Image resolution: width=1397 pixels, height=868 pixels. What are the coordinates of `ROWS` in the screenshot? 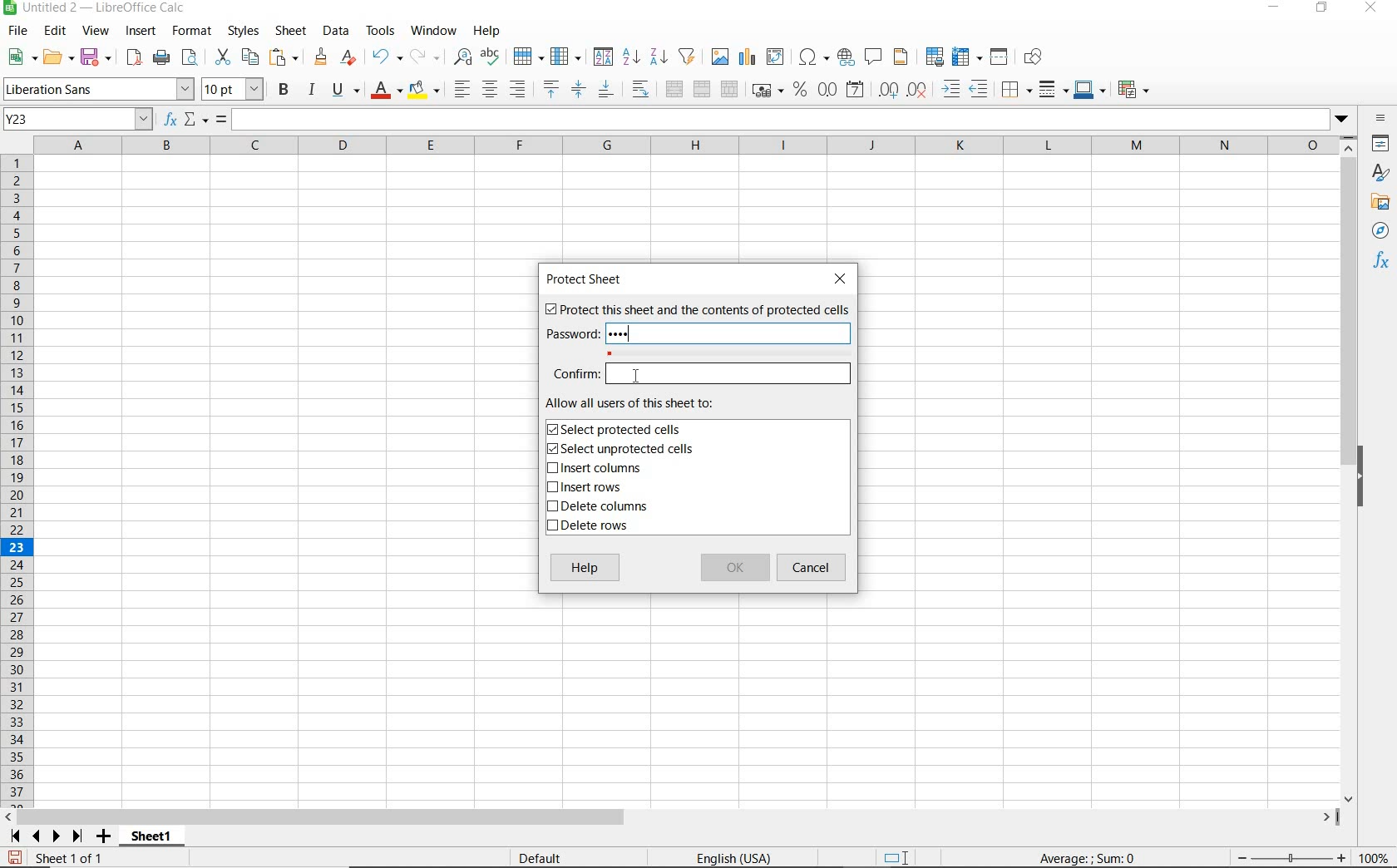 It's located at (18, 478).